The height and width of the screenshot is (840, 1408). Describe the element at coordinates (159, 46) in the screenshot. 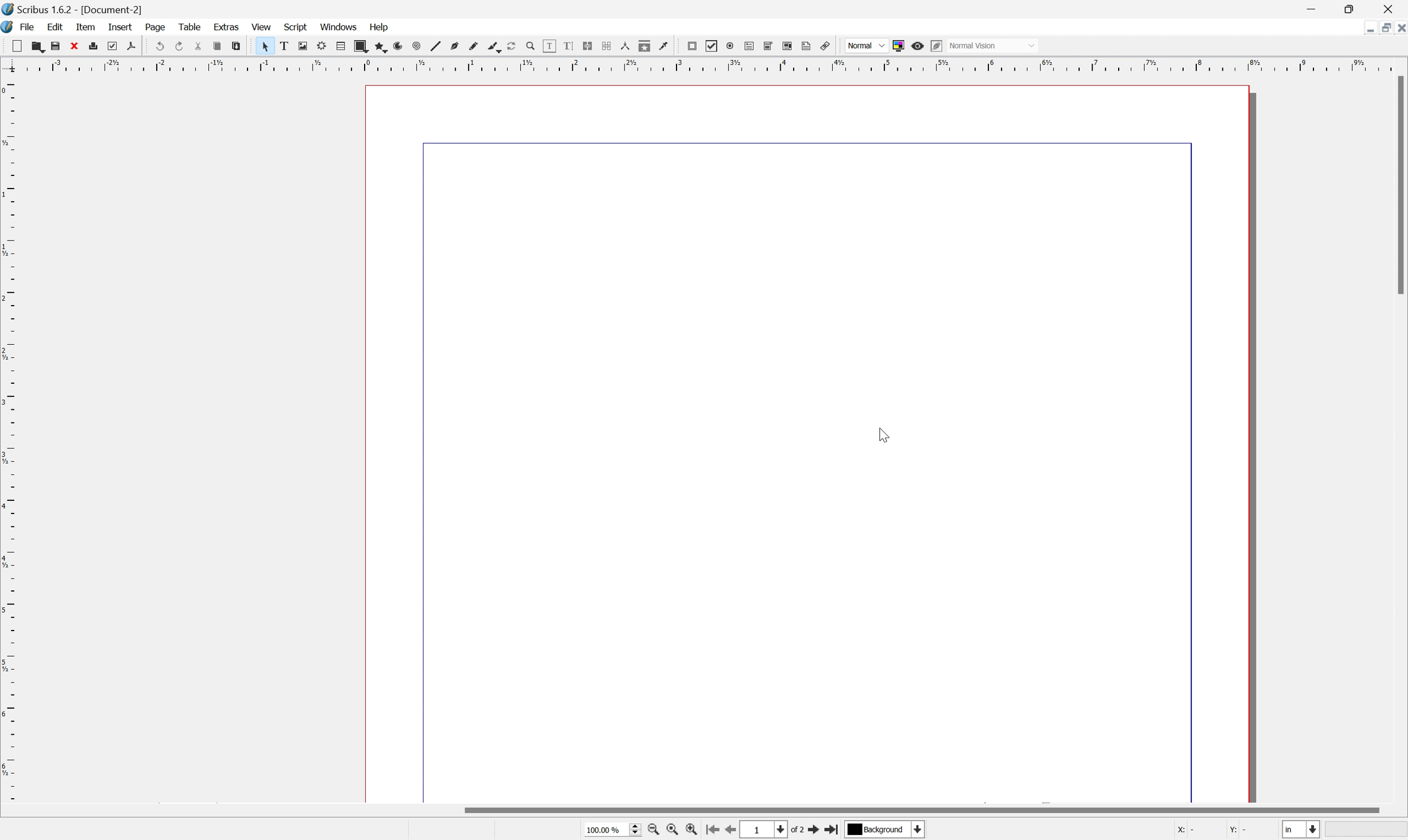

I see `Undo` at that location.